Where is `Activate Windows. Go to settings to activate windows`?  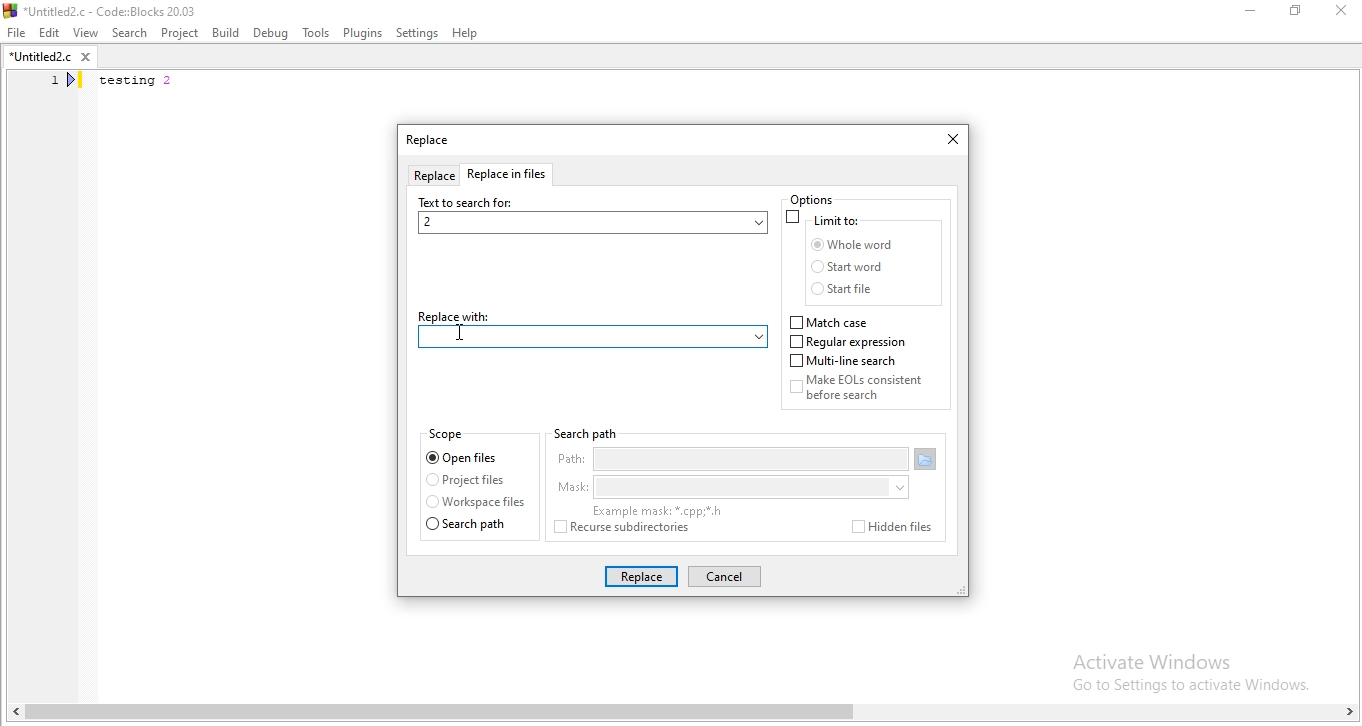
Activate Windows. Go to settings to activate windows is located at coordinates (1178, 669).